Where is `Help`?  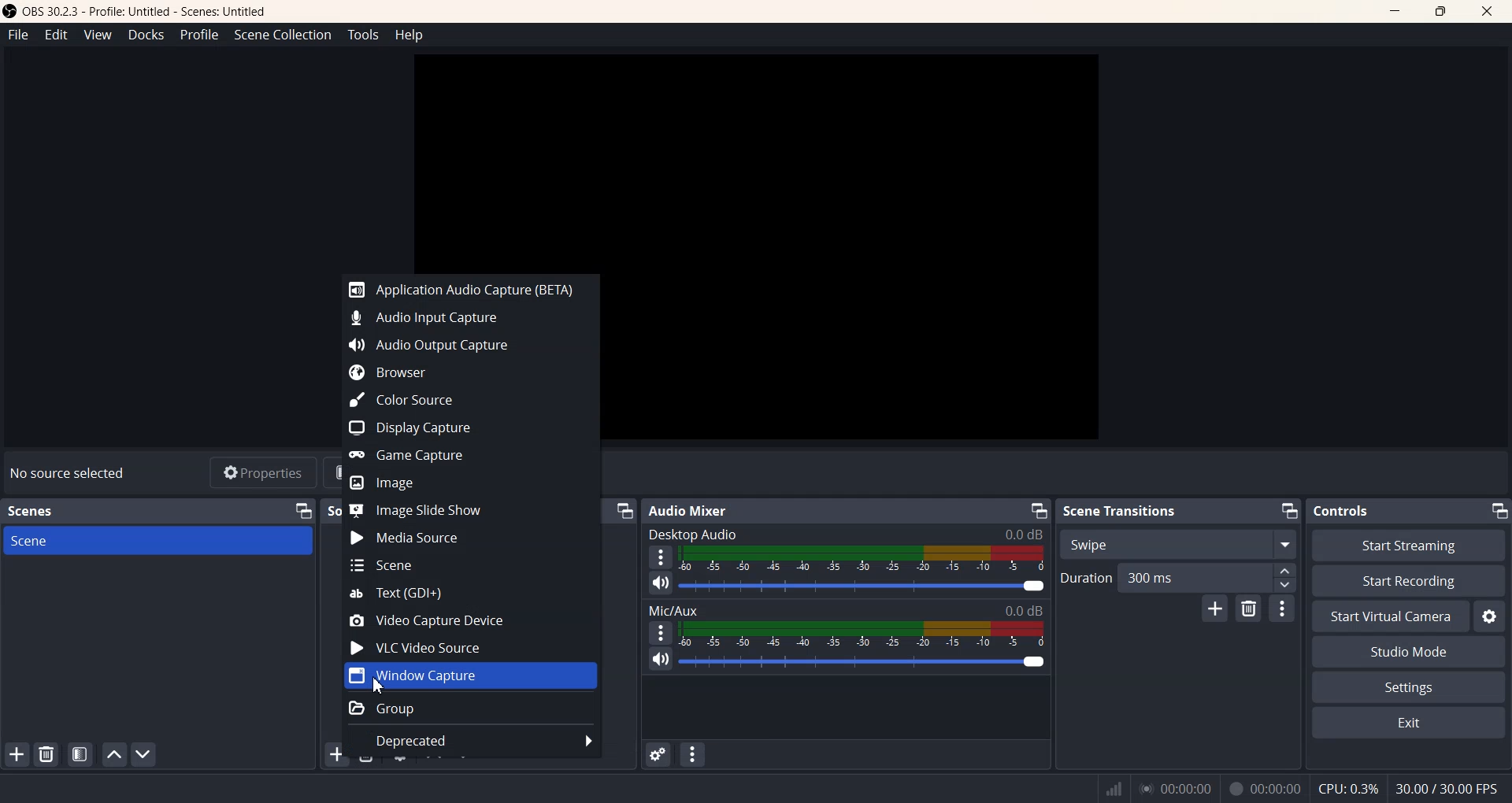 Help is located at coordinates (411, 35).